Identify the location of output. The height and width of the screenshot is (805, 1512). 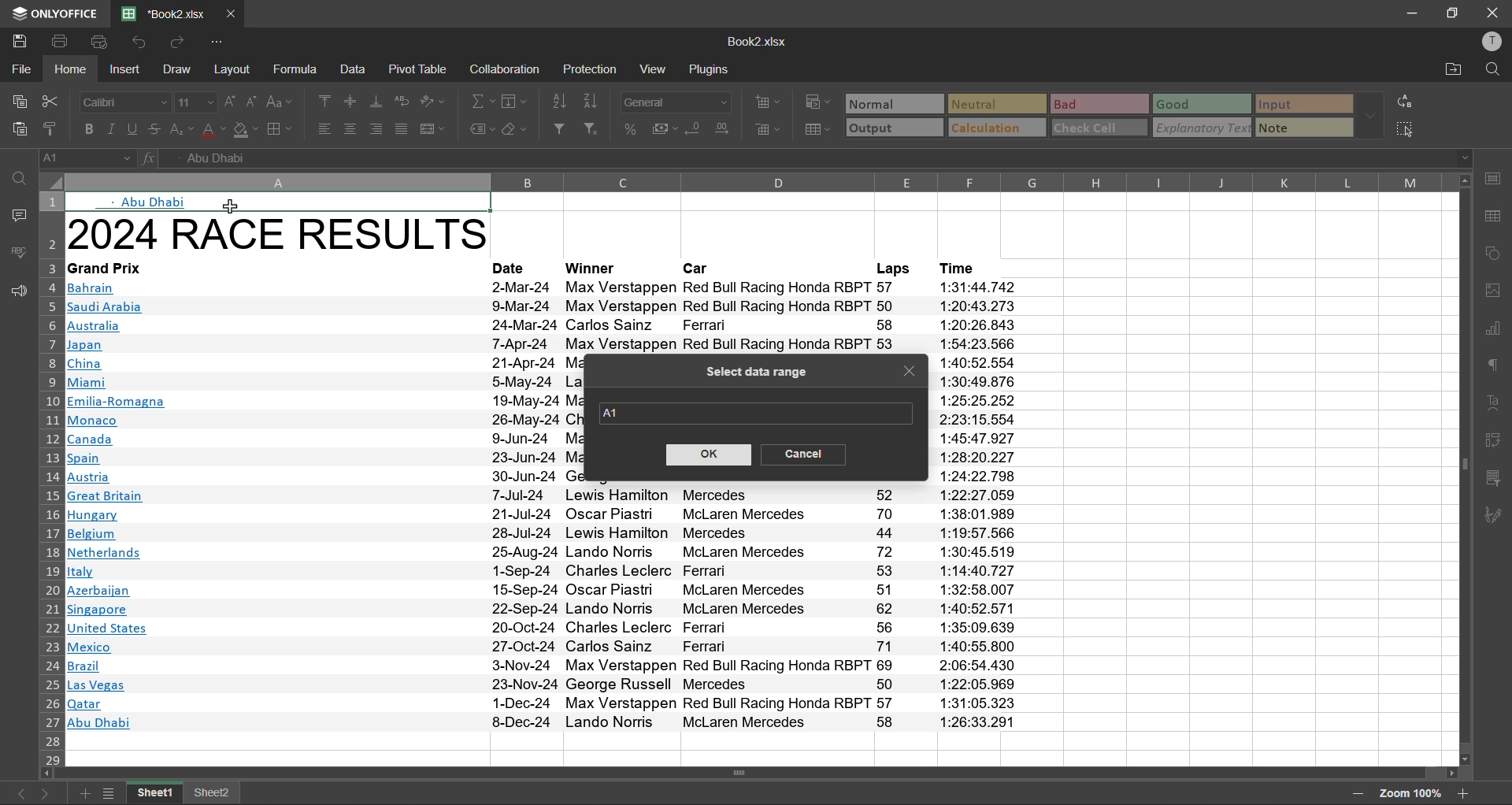
(894, 128).